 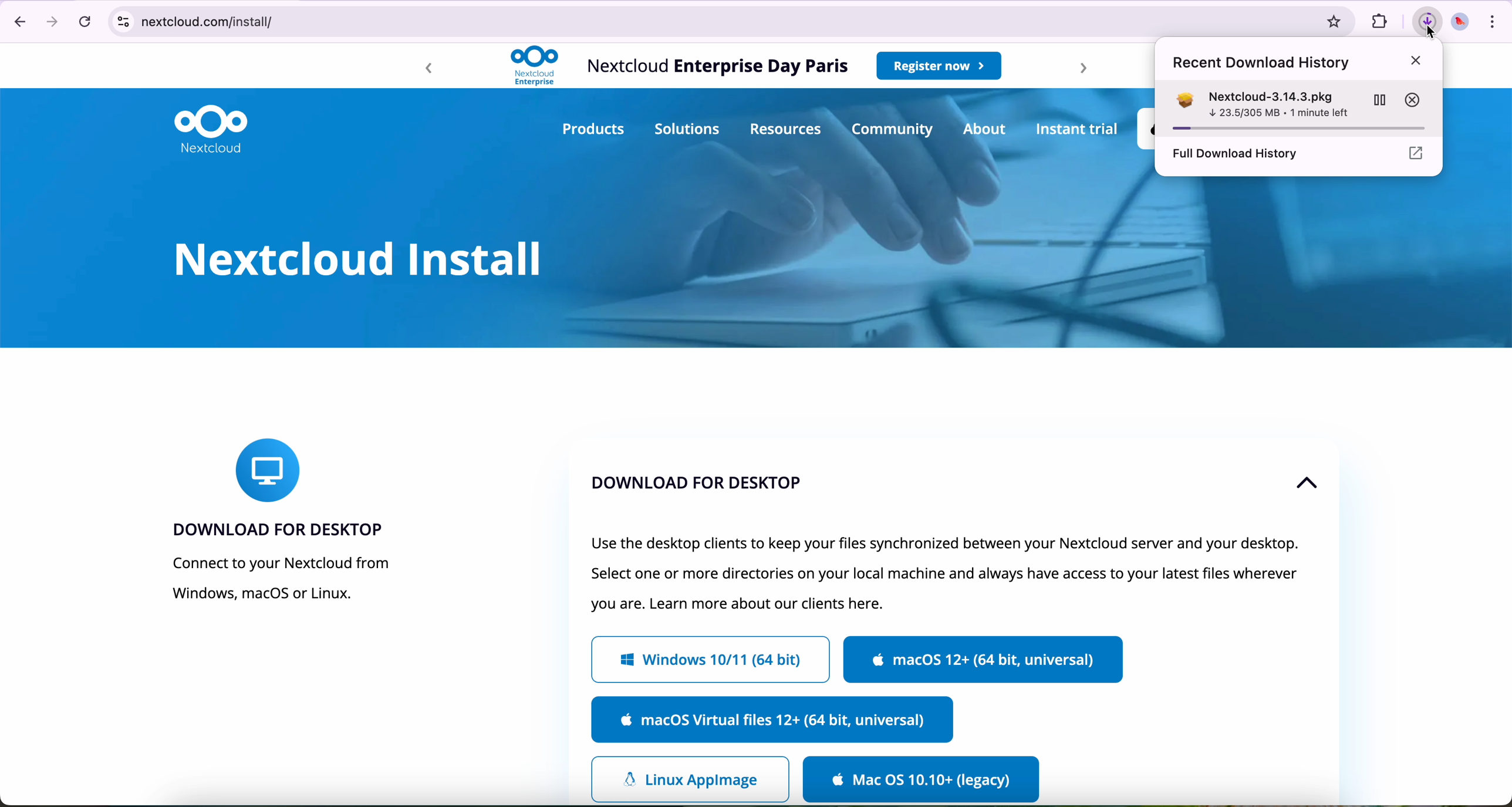 What do you see at coordinates (1034, 265) in the screenshot?
I see `image of background` at bounding box center [1034, 265].